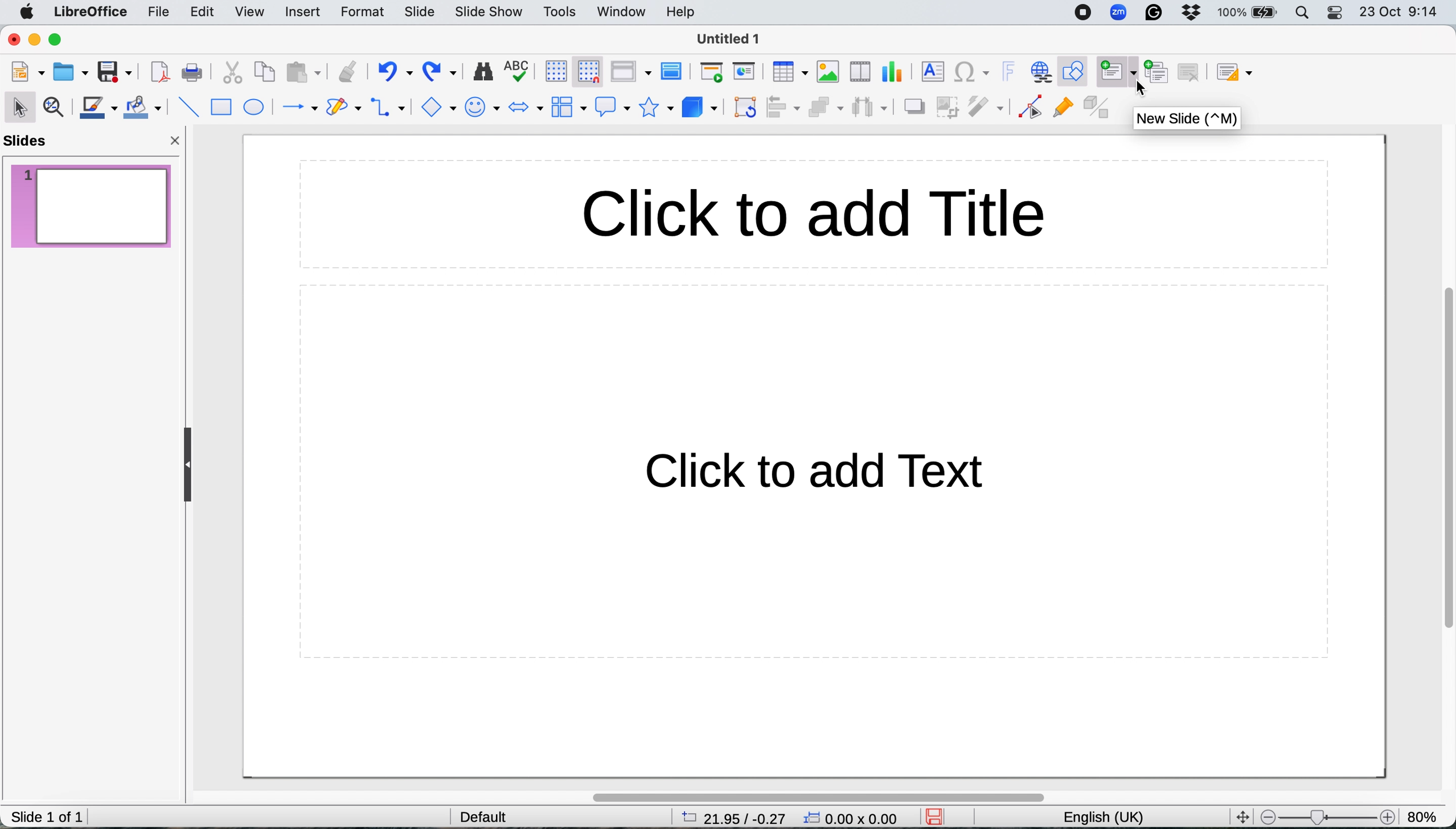  Describe the element at coordinates (974, 72) in the screenshot. I see `insert special characters` at that location.